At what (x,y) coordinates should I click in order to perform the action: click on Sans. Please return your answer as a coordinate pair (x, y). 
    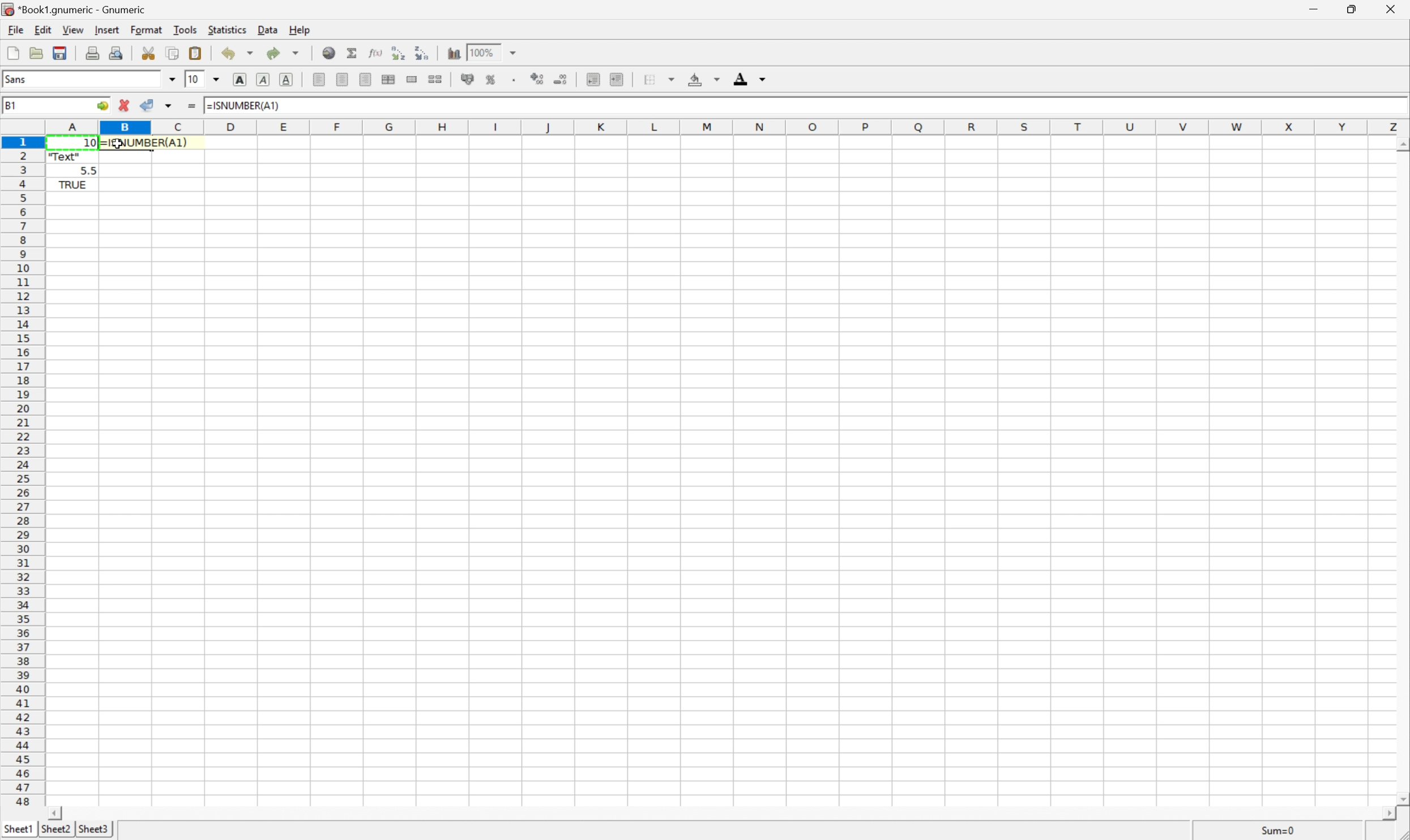
    Looking at the image, I should click on (17, 78).